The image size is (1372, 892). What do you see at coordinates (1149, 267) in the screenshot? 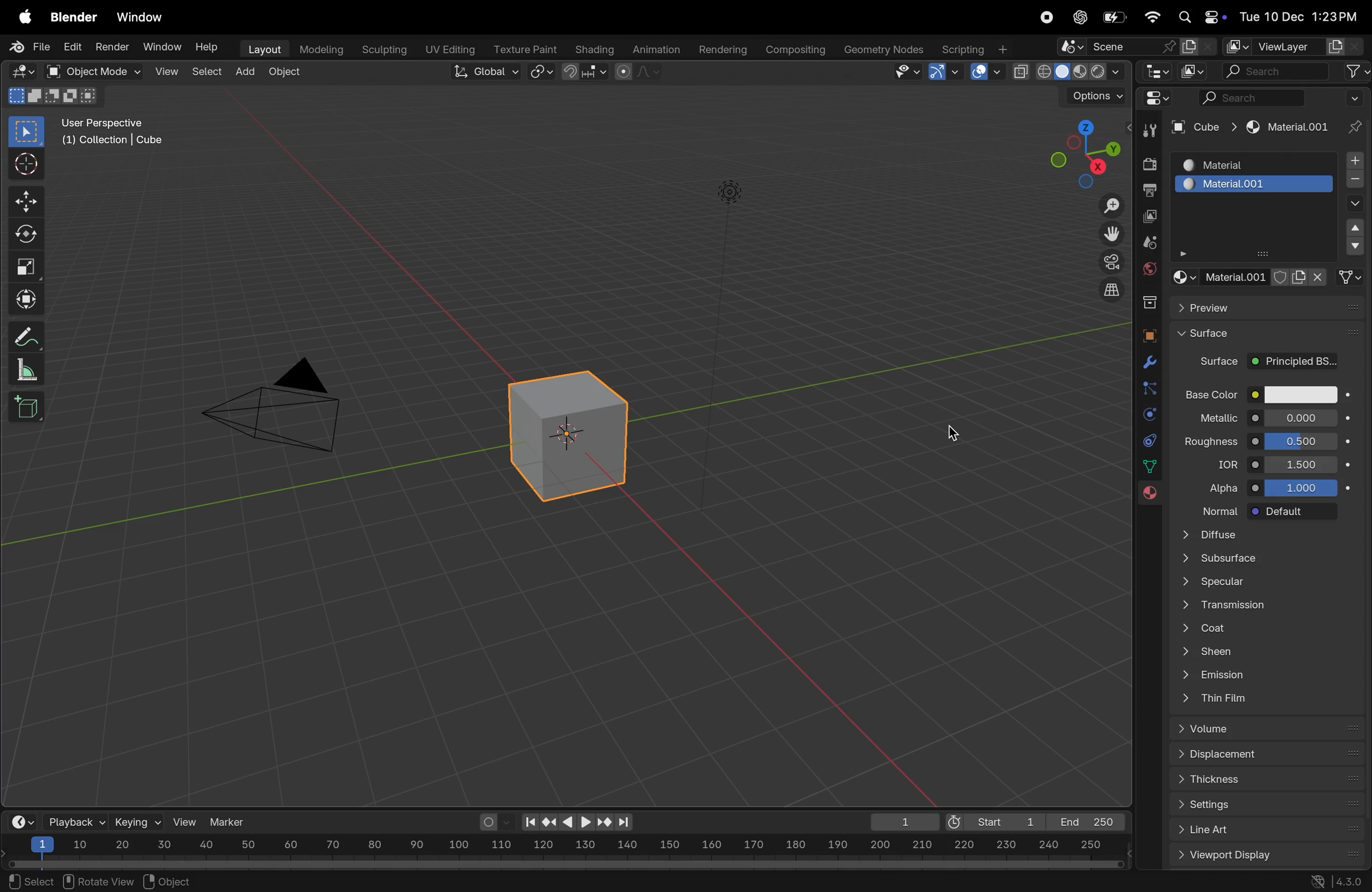
I see `world` at bounding box center [1149, 267].